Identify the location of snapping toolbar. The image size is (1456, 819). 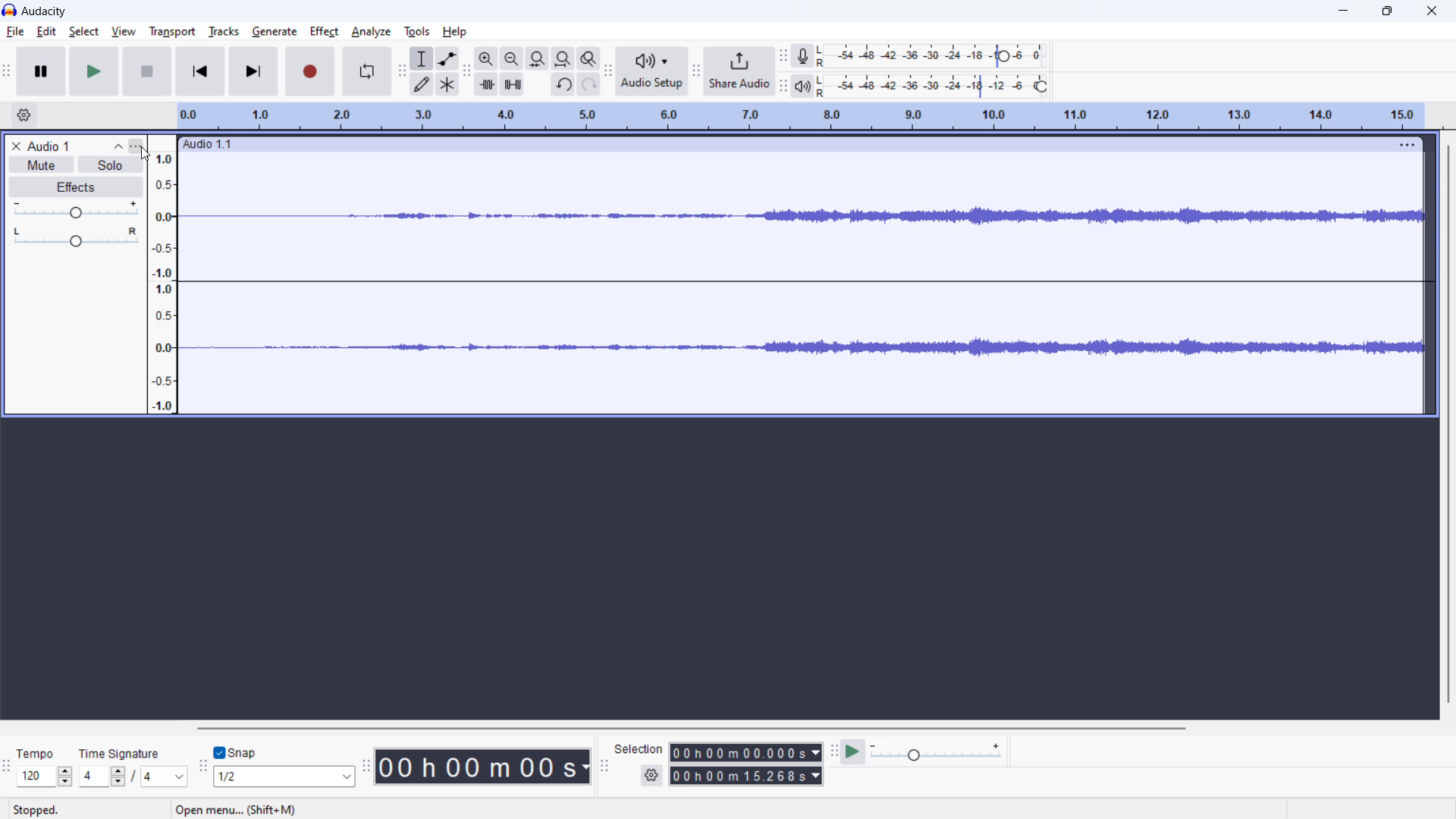
(202, 767).